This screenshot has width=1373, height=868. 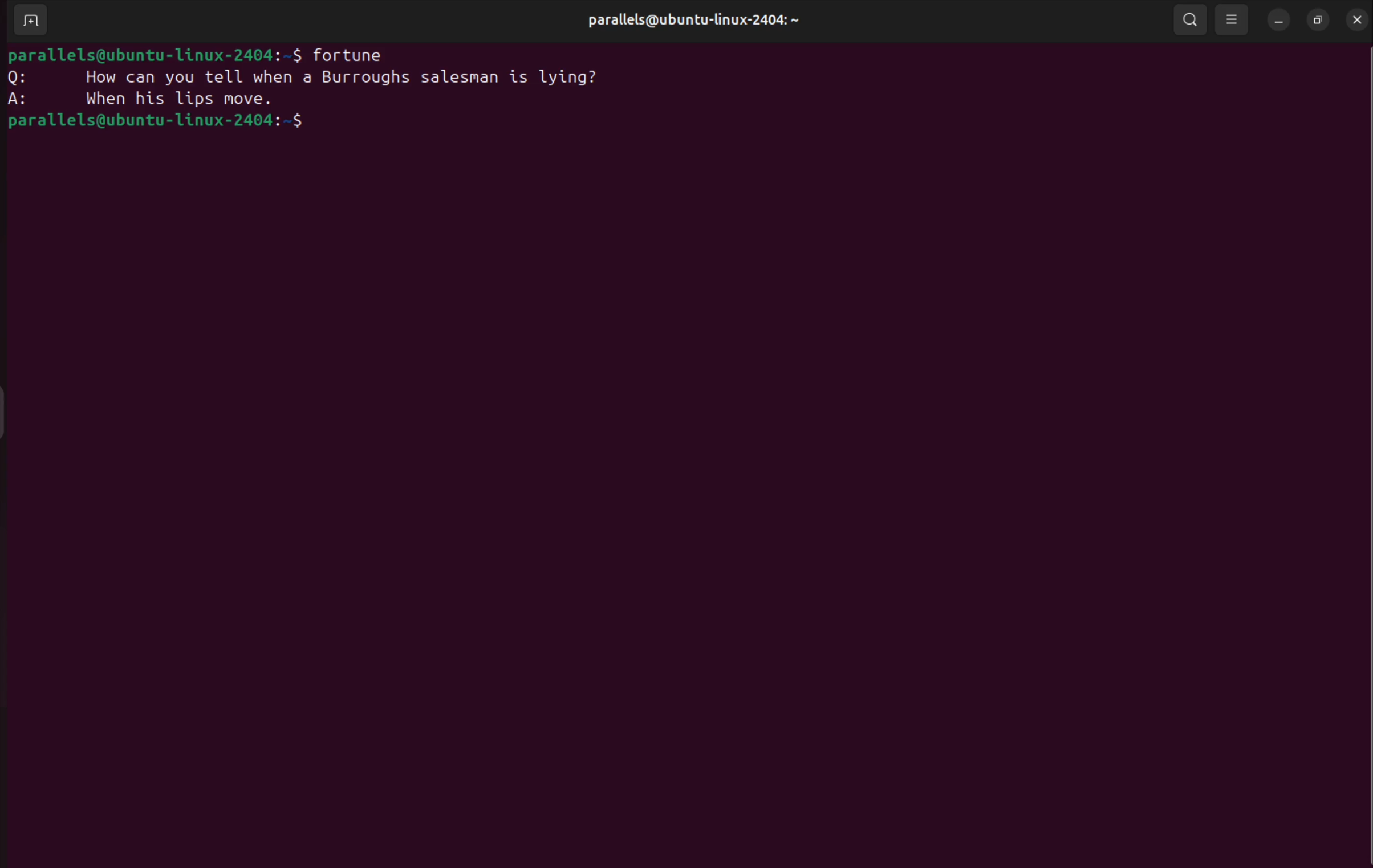 I want to click on search, so click(x=1192, y=20).